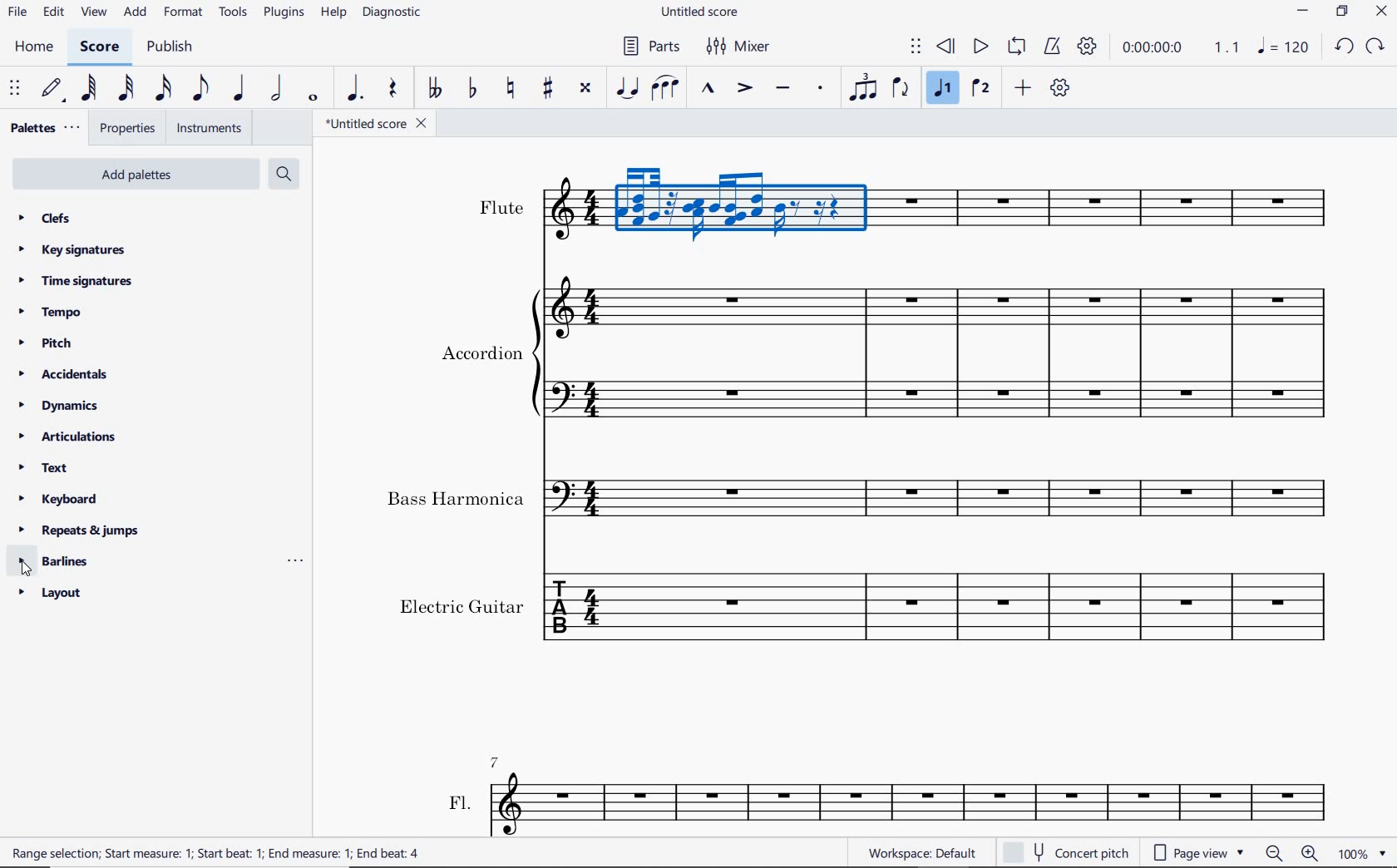 The image size is (1397, 868). What do you see at coordinates (901, 89) in the screenshot?
I see `flip direction` at bounding box center [901, 89].